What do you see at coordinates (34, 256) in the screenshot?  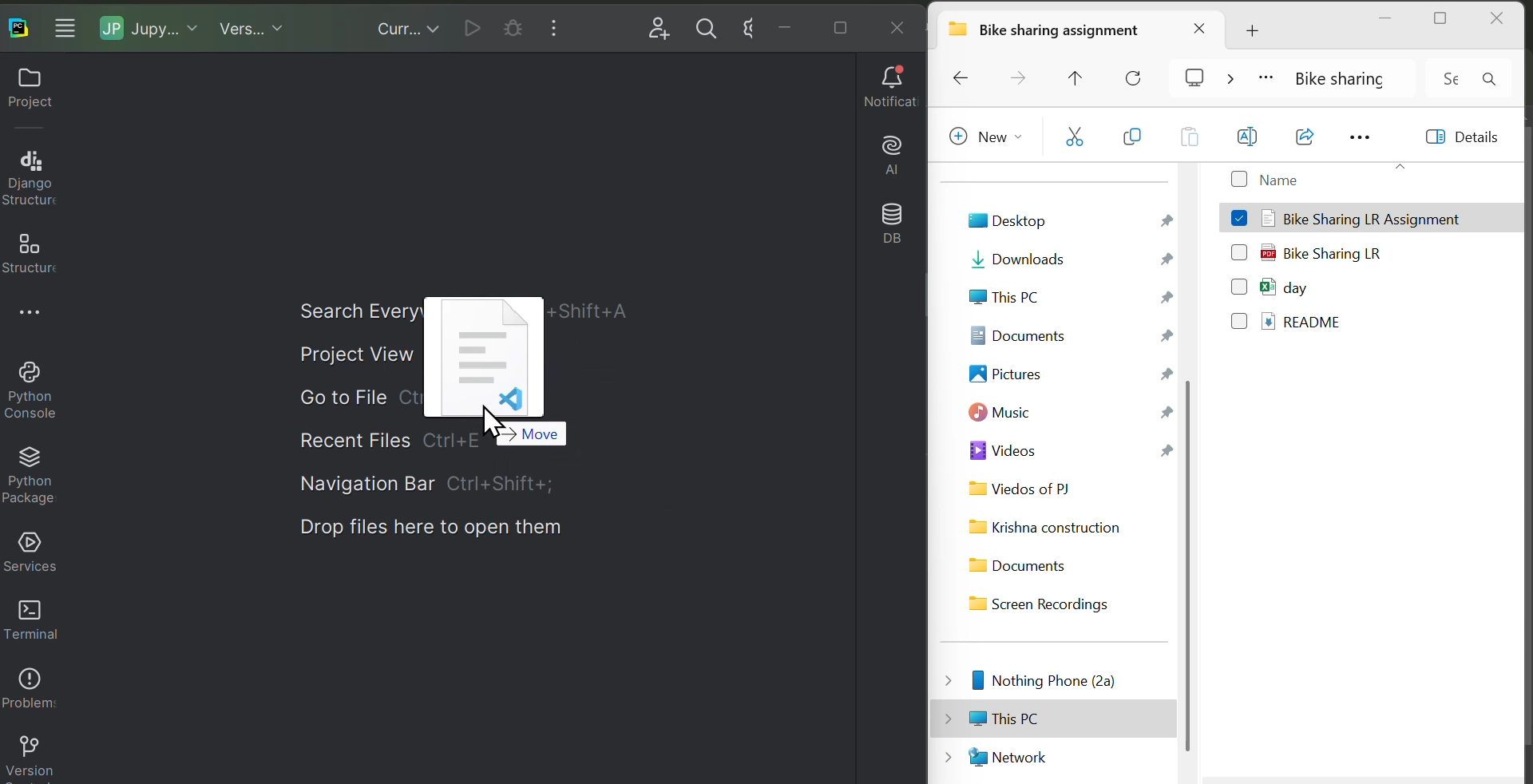 I see `Structure` at bounding box center [34, 256].